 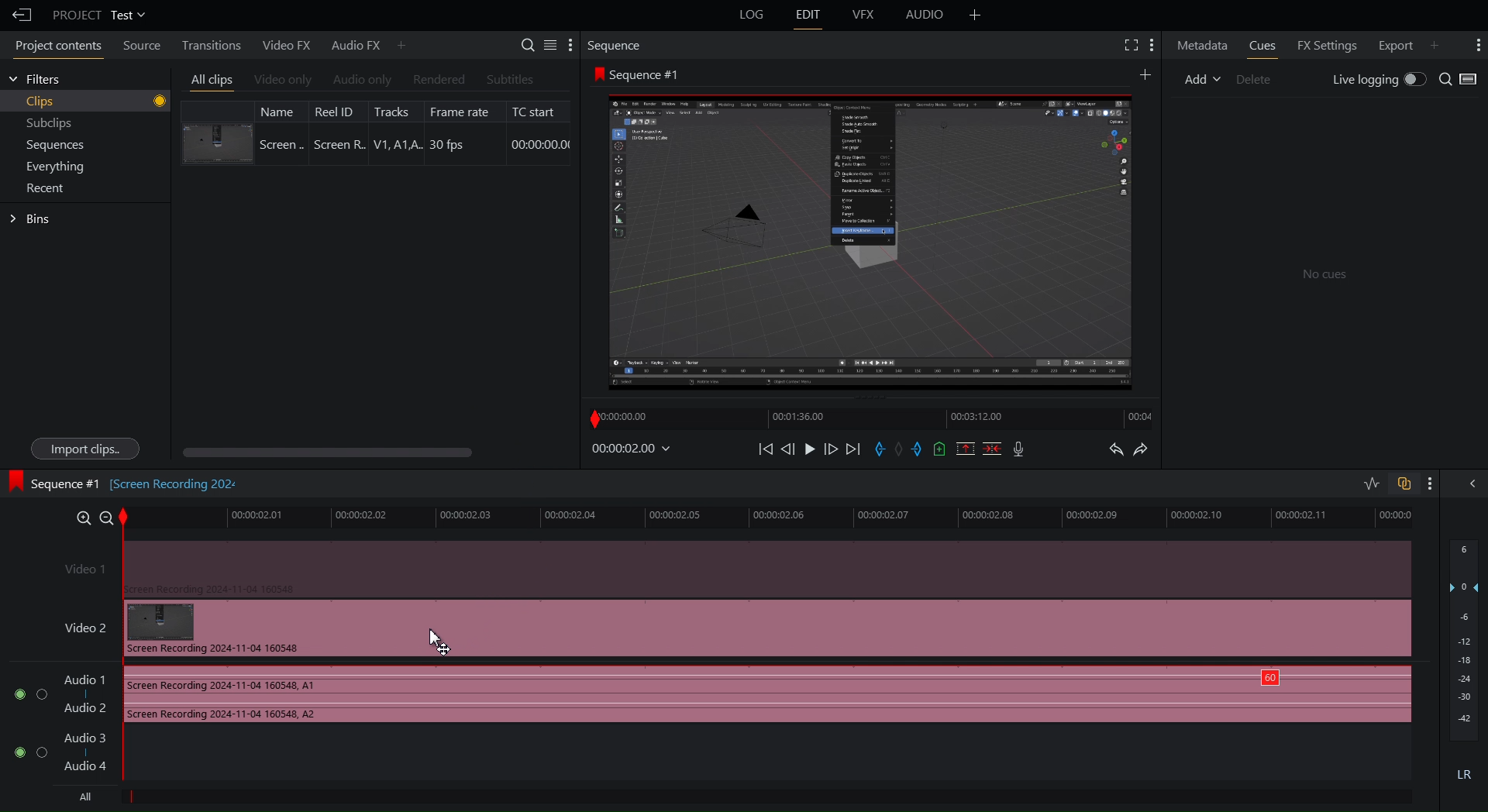 What do you see at coordinates (18, 15) in the screenshot?
I see `Back` at bounding box center [18, 15].